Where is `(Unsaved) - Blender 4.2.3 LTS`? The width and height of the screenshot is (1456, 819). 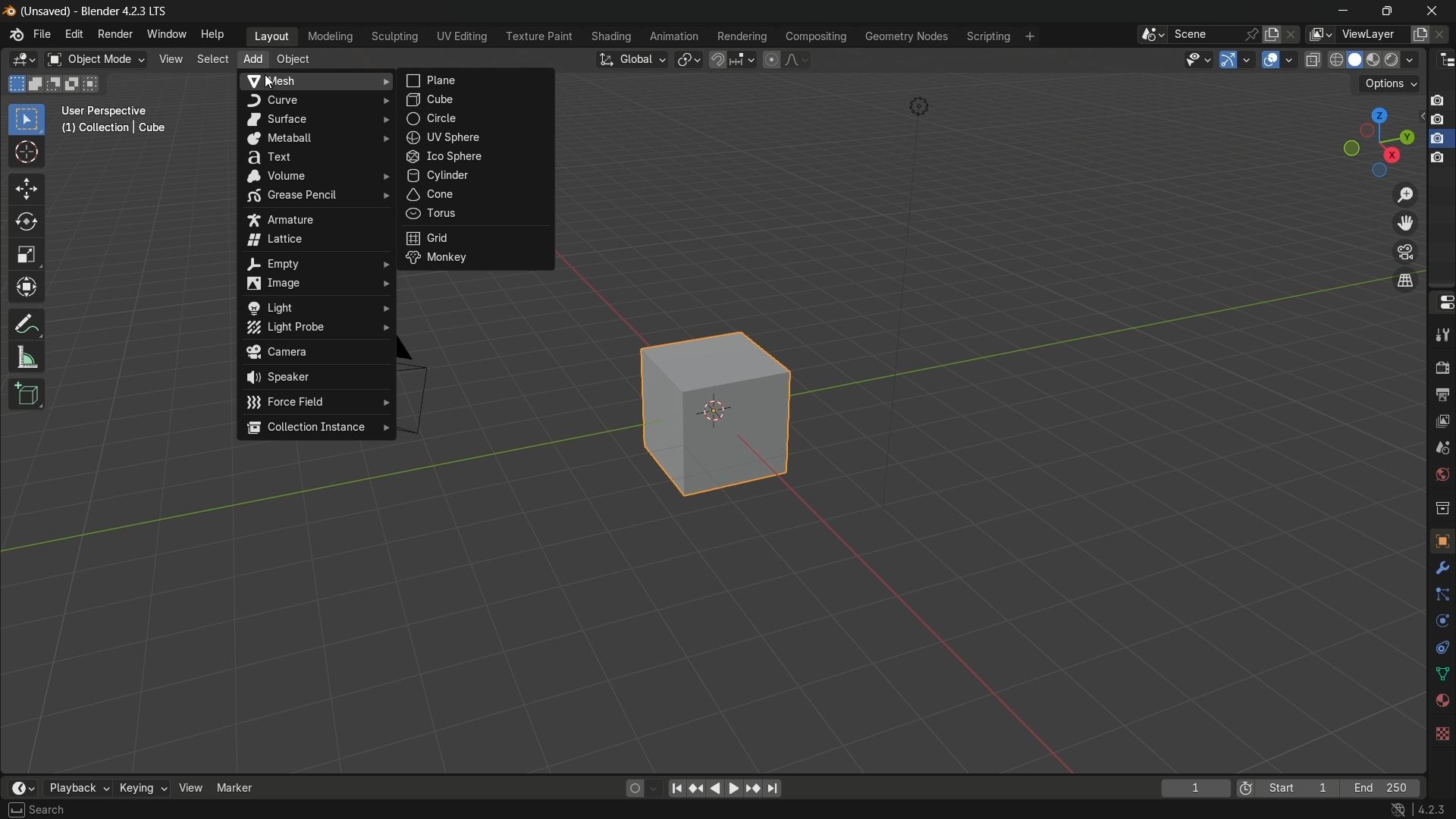 (Unsaved) - Blender 4.2.3 LTS is located at coordinates (97, 12).